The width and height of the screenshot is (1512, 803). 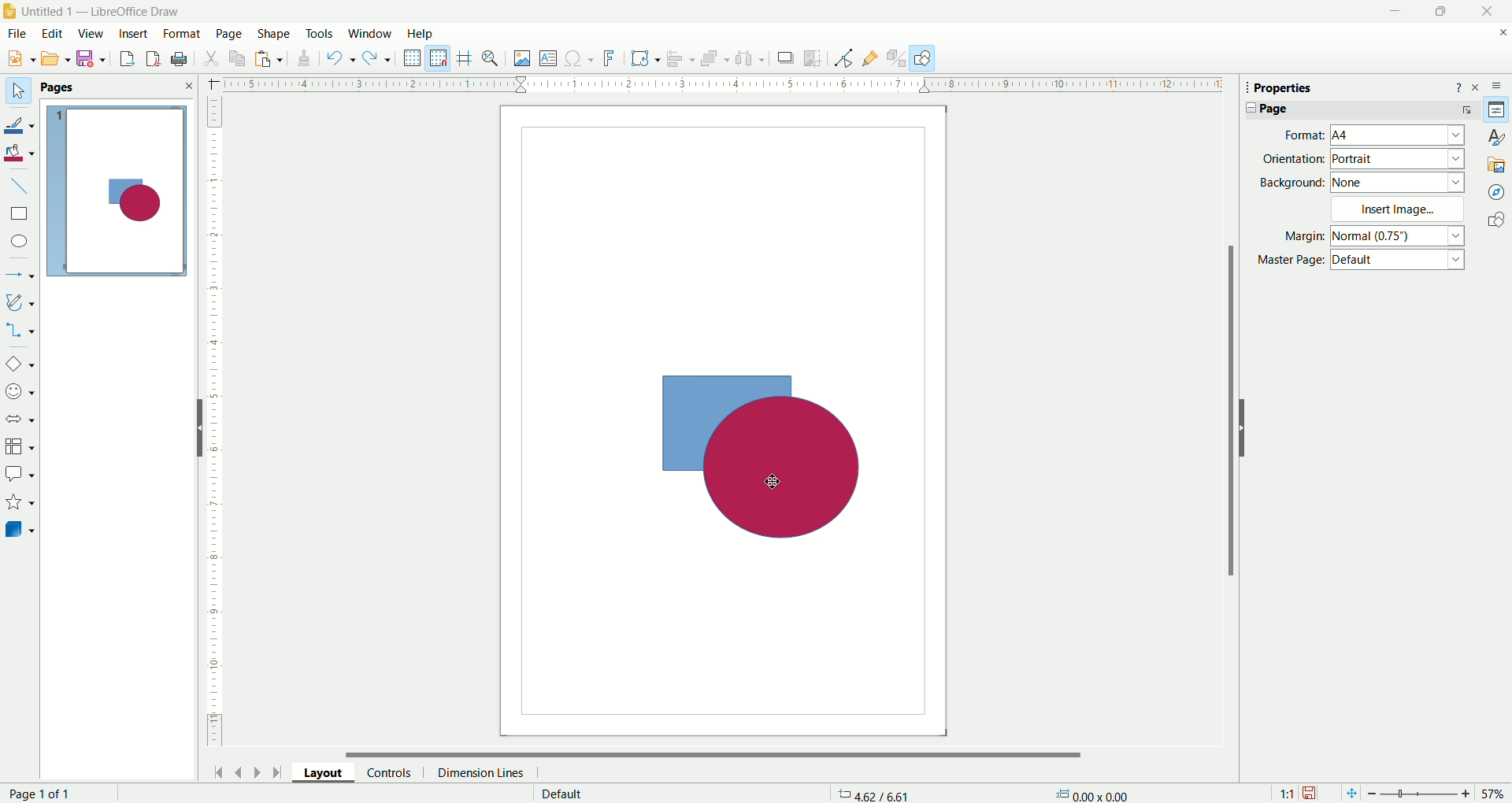 I want to click on helplines, so click(x=465, y=57).